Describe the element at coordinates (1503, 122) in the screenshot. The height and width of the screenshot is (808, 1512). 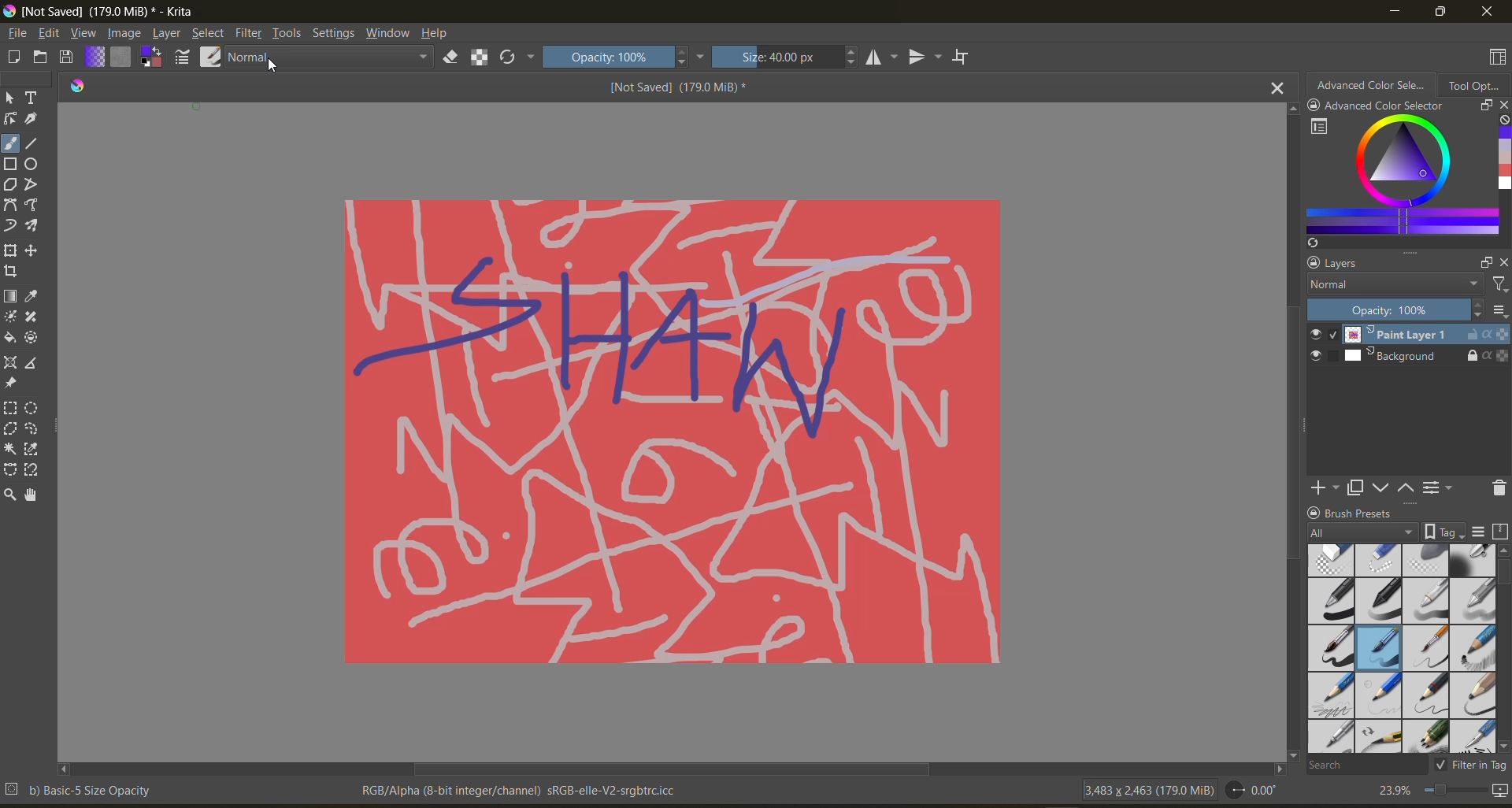
I see `clear all color history` at that location.